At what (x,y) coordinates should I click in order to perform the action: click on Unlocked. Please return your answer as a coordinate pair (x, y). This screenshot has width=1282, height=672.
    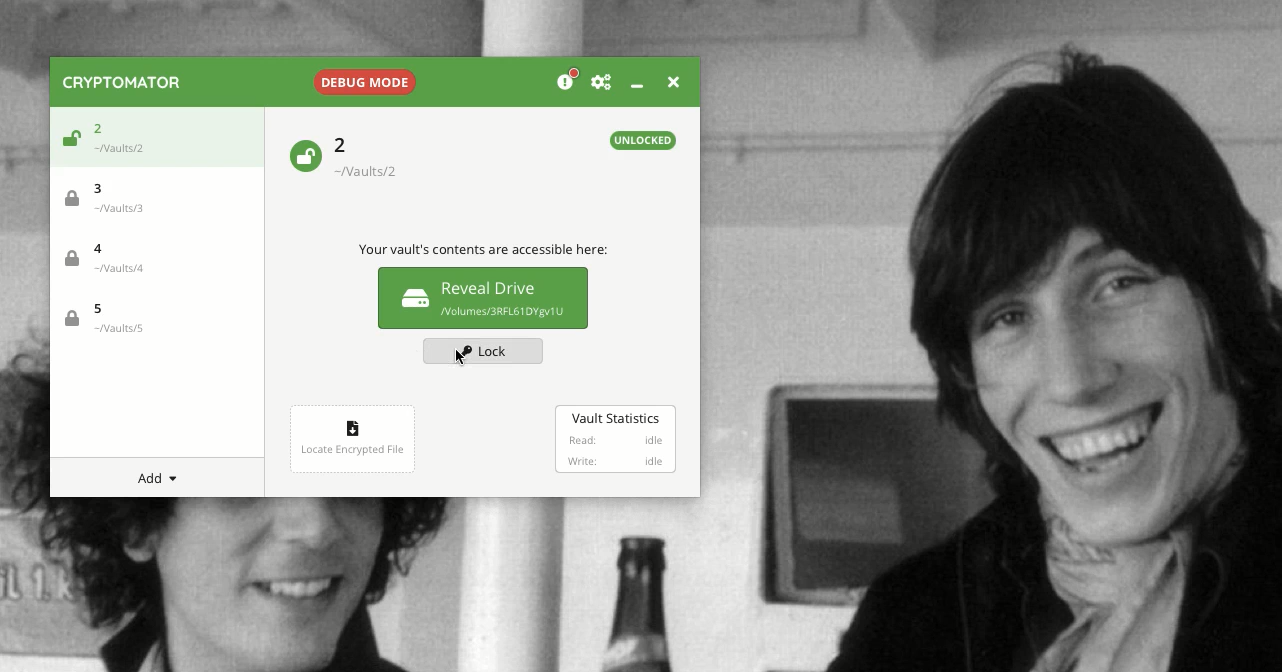
    Looking at the image, I should click on (68, 141).